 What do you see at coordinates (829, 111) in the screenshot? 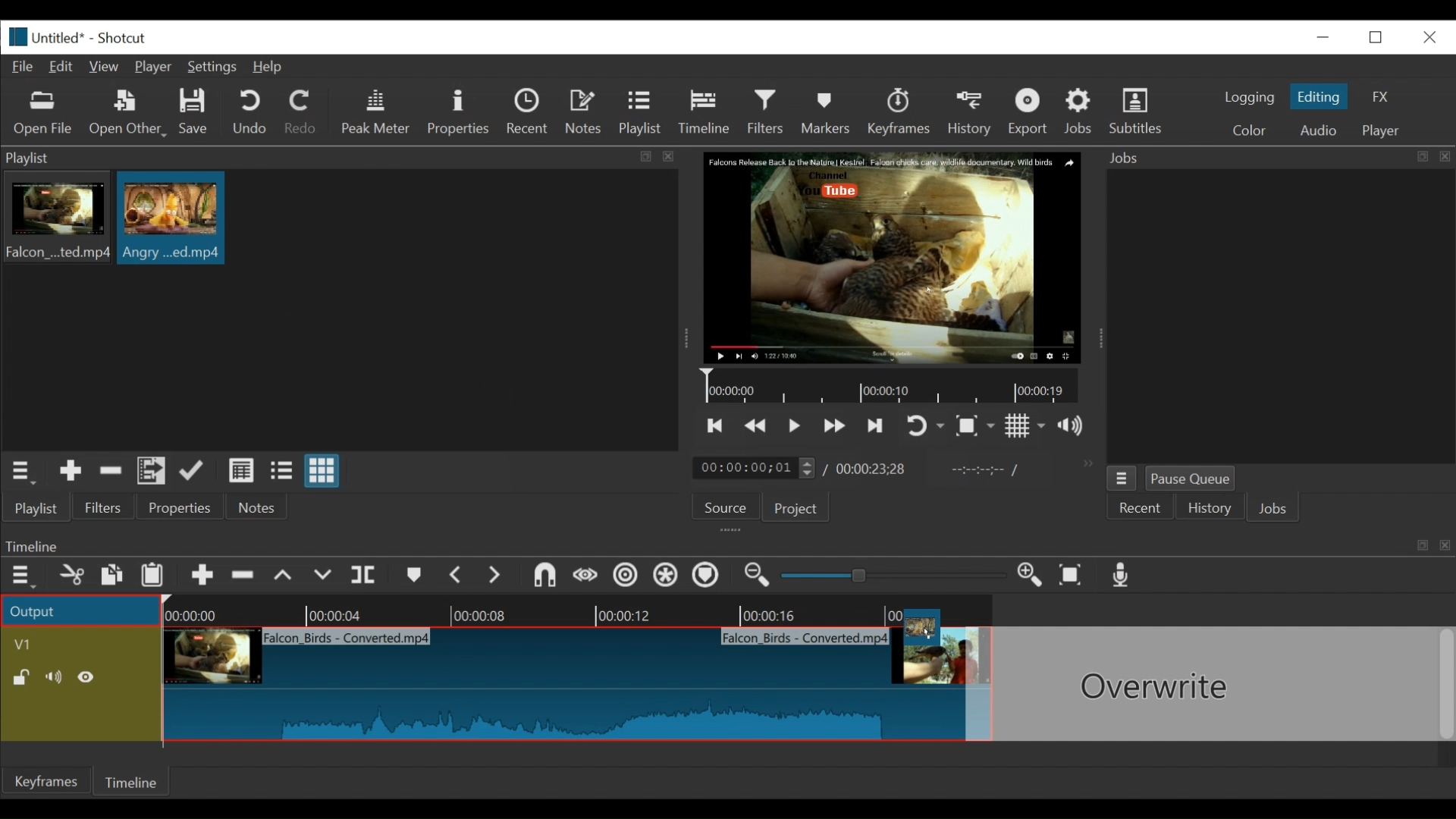
I see `Markers` at bounding box center [829, 111].